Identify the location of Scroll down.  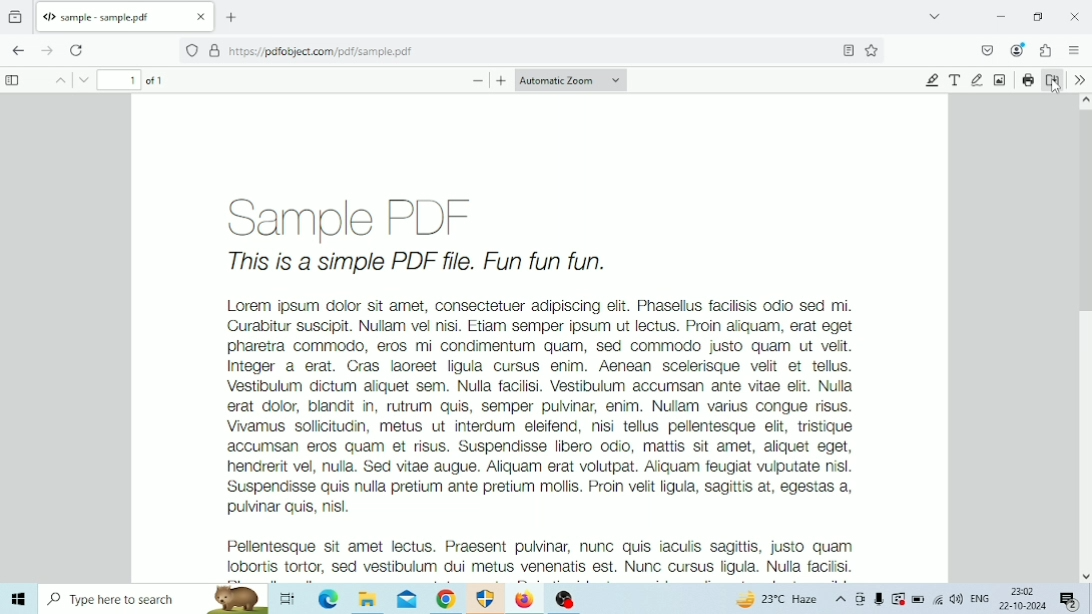
(1085, 576).